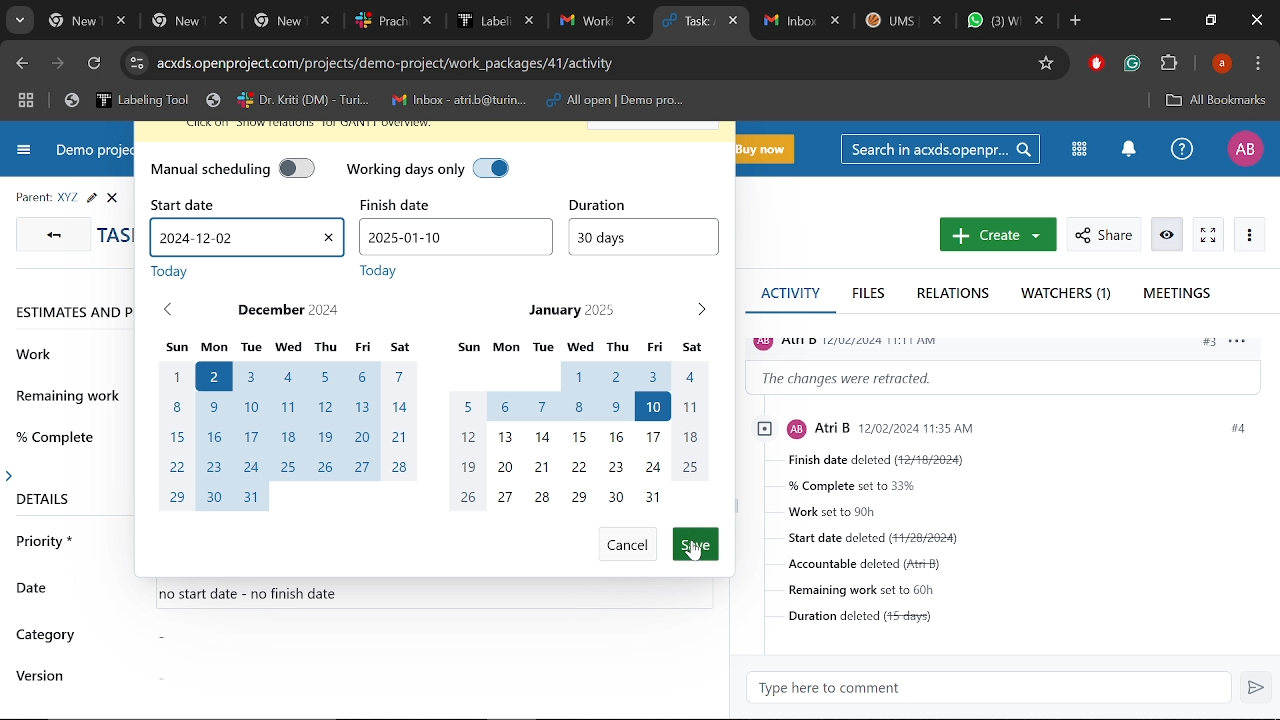 The height and width of the screenshot is (720, 1280). What do you see at coordinates (33, 198) in the screenshot?
I see `parent` at bounding box center [33, 198].